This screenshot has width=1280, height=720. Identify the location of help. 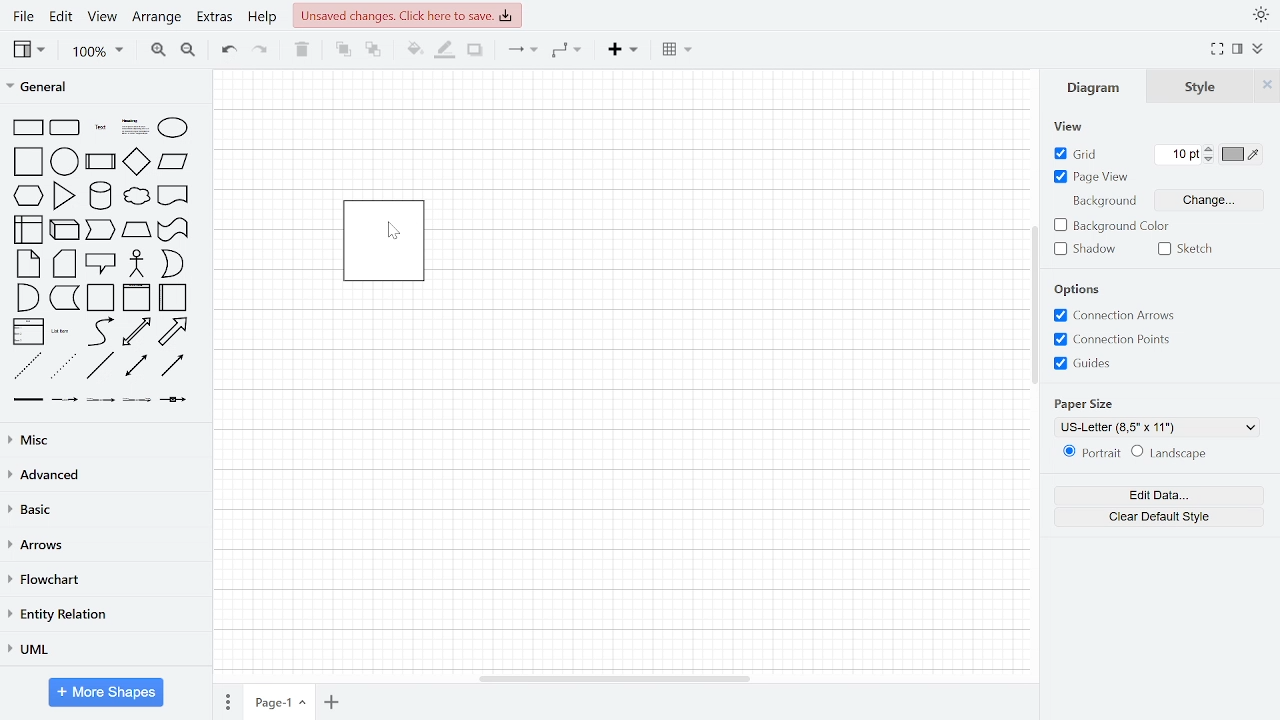
(262, 19).